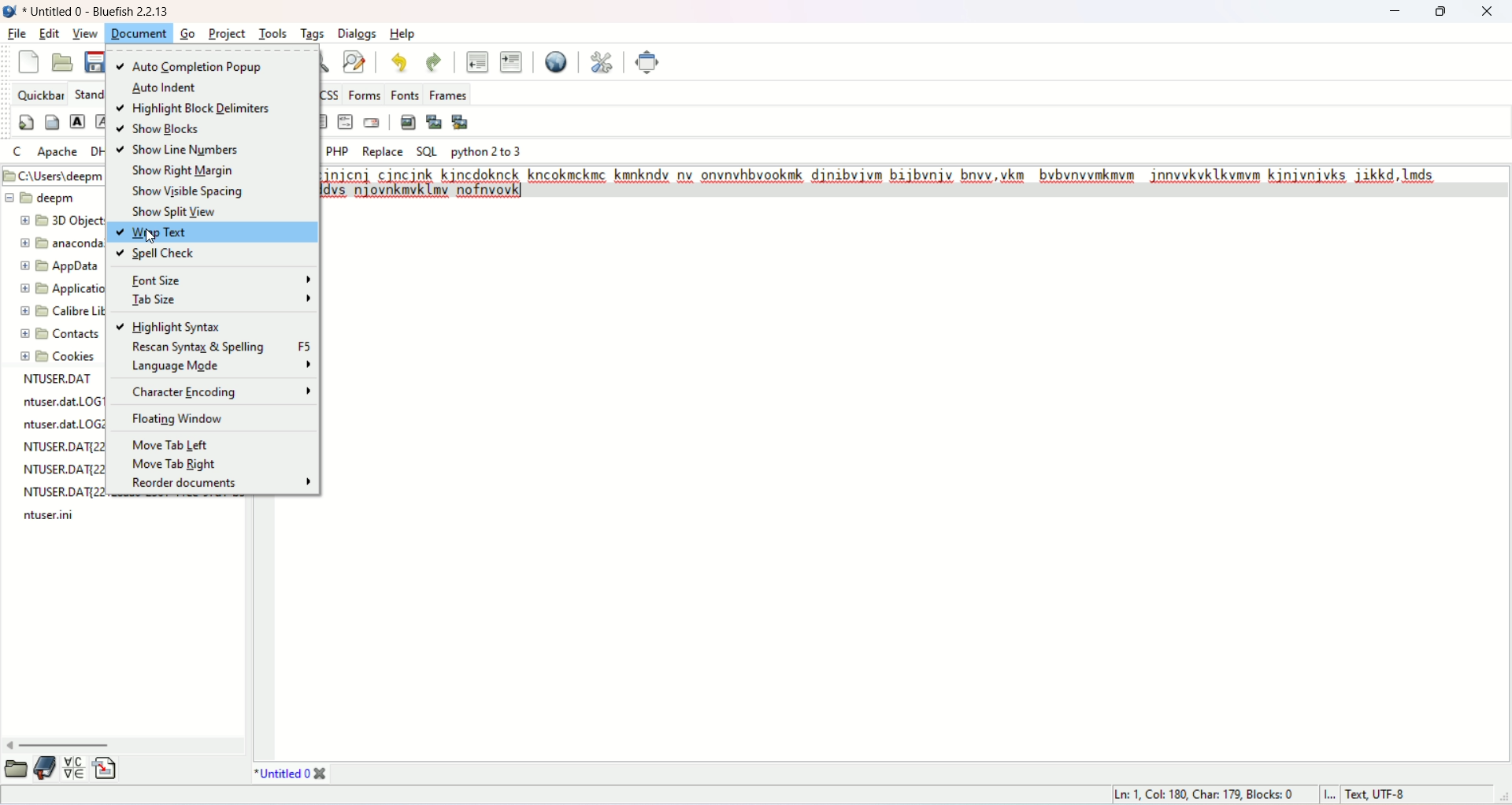  I want to click on insert images, so click(406, 123).